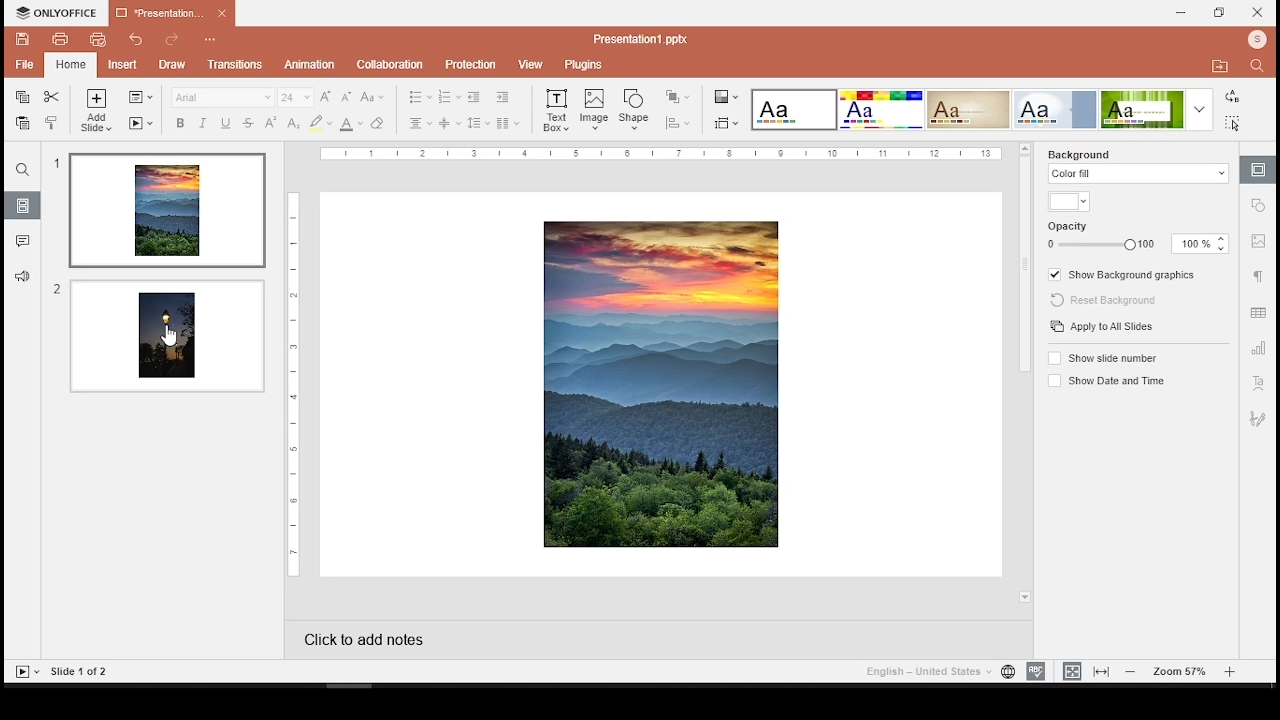 Image resolution: width=1280 pixels, height=720 pixels. I want to click on plugins, so click(582, 64).